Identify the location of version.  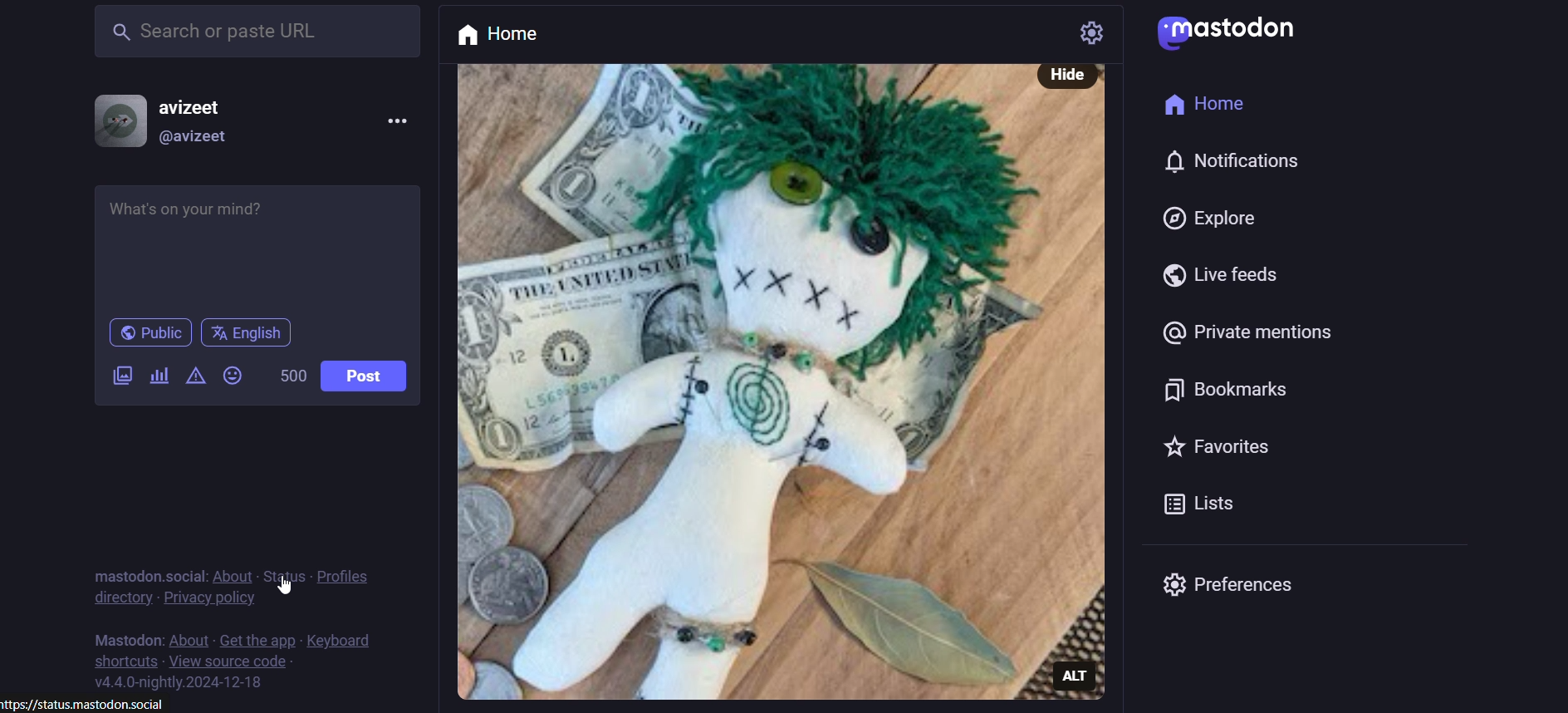
(198, 683).